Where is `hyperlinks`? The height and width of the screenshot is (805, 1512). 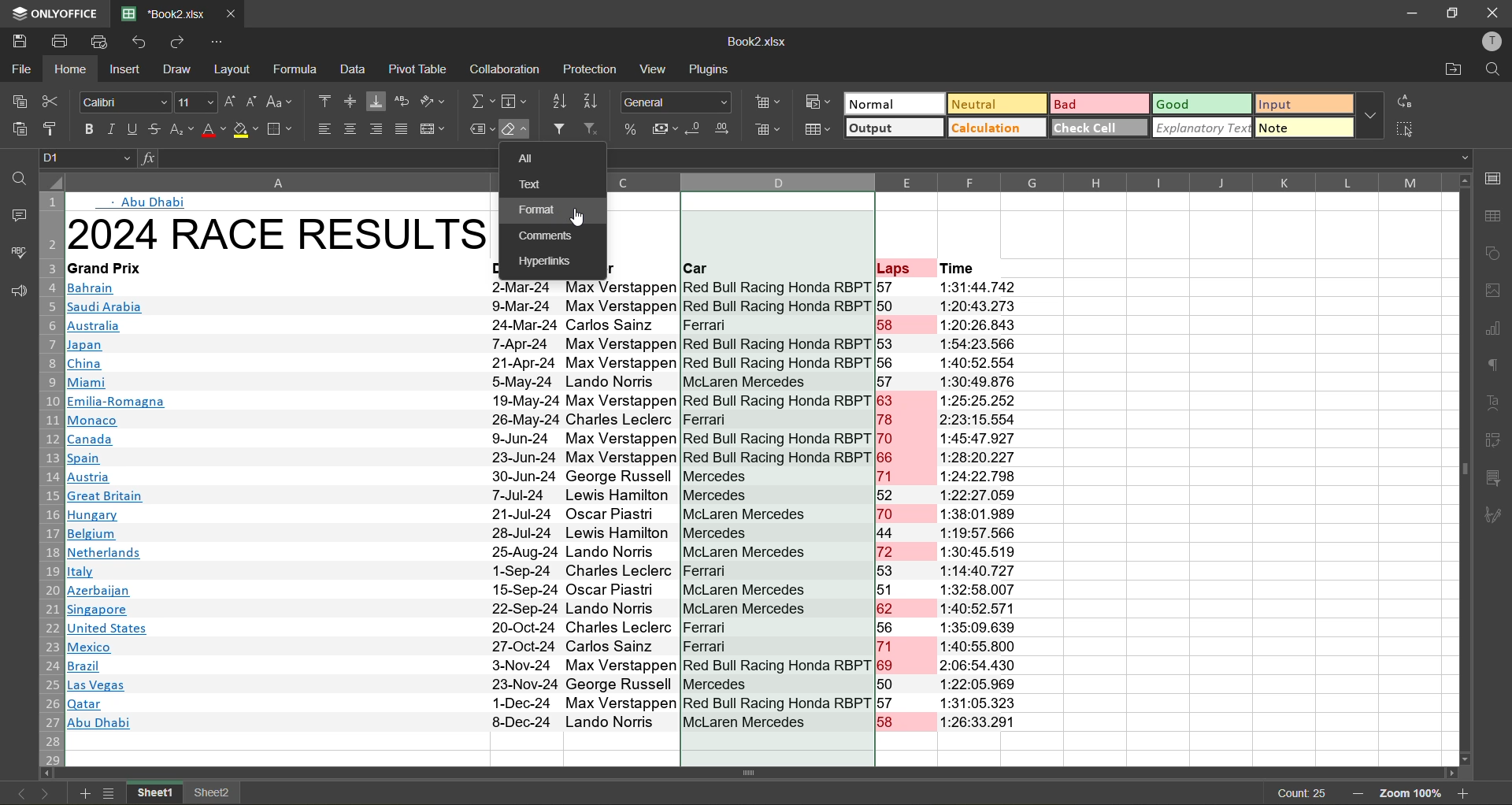 hyperlinks is located at coordinates (547, 262).